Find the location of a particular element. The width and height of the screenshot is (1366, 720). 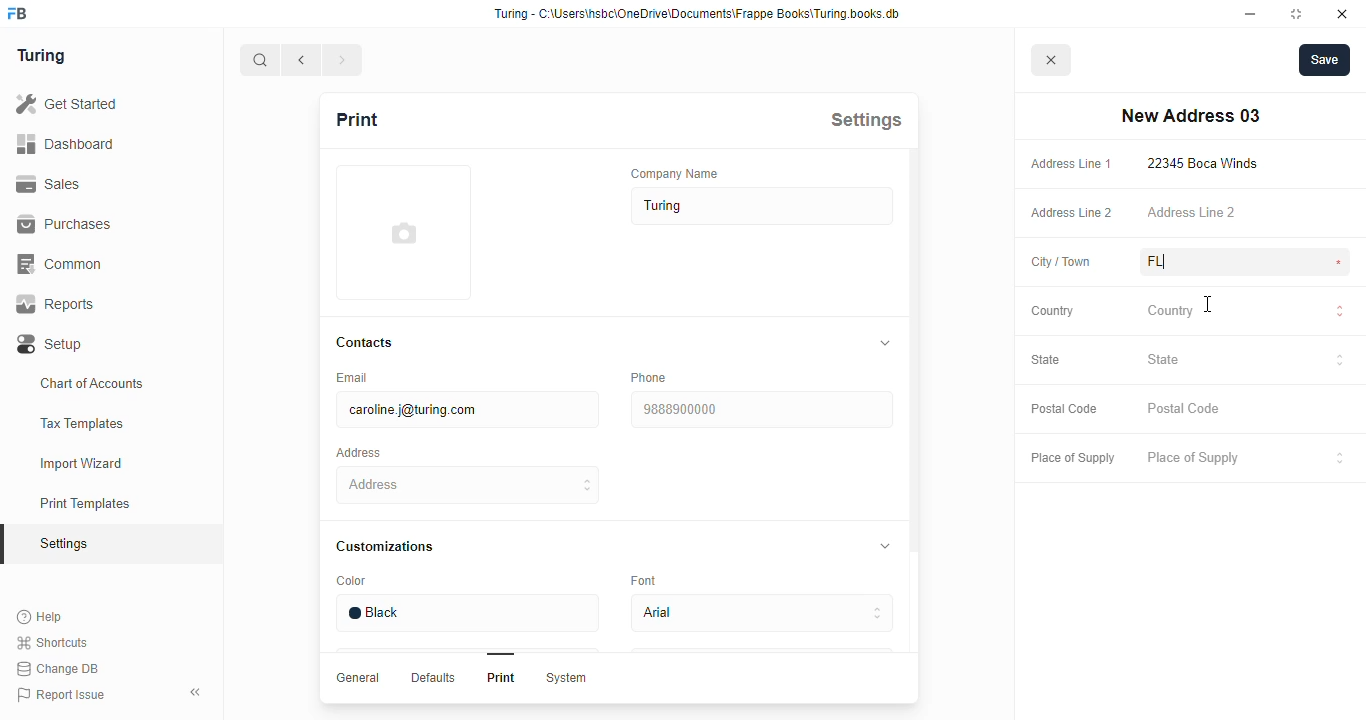

turing is located at coordinates (40, 55).